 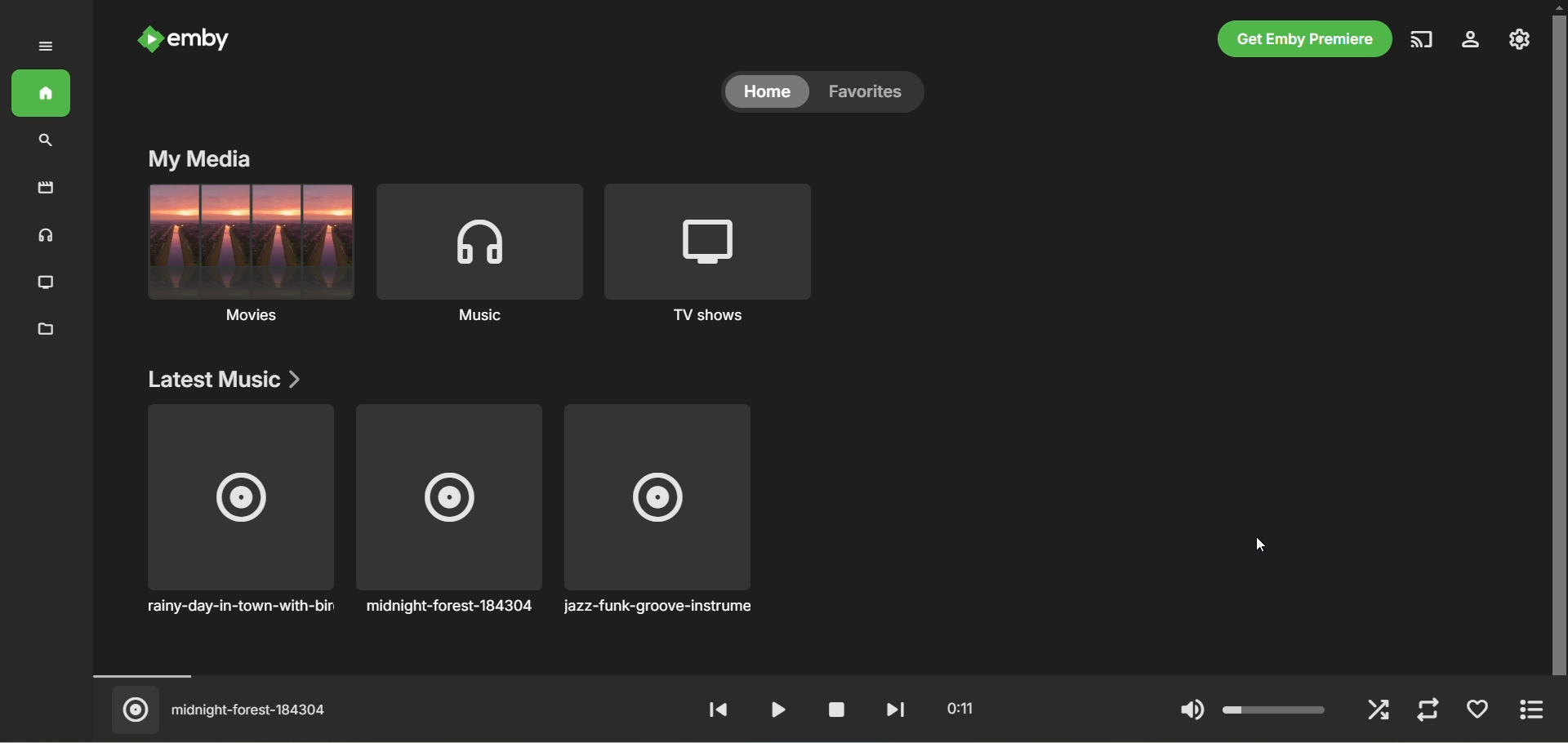 I want to click on play on another device, so click(x=1423, y=40).